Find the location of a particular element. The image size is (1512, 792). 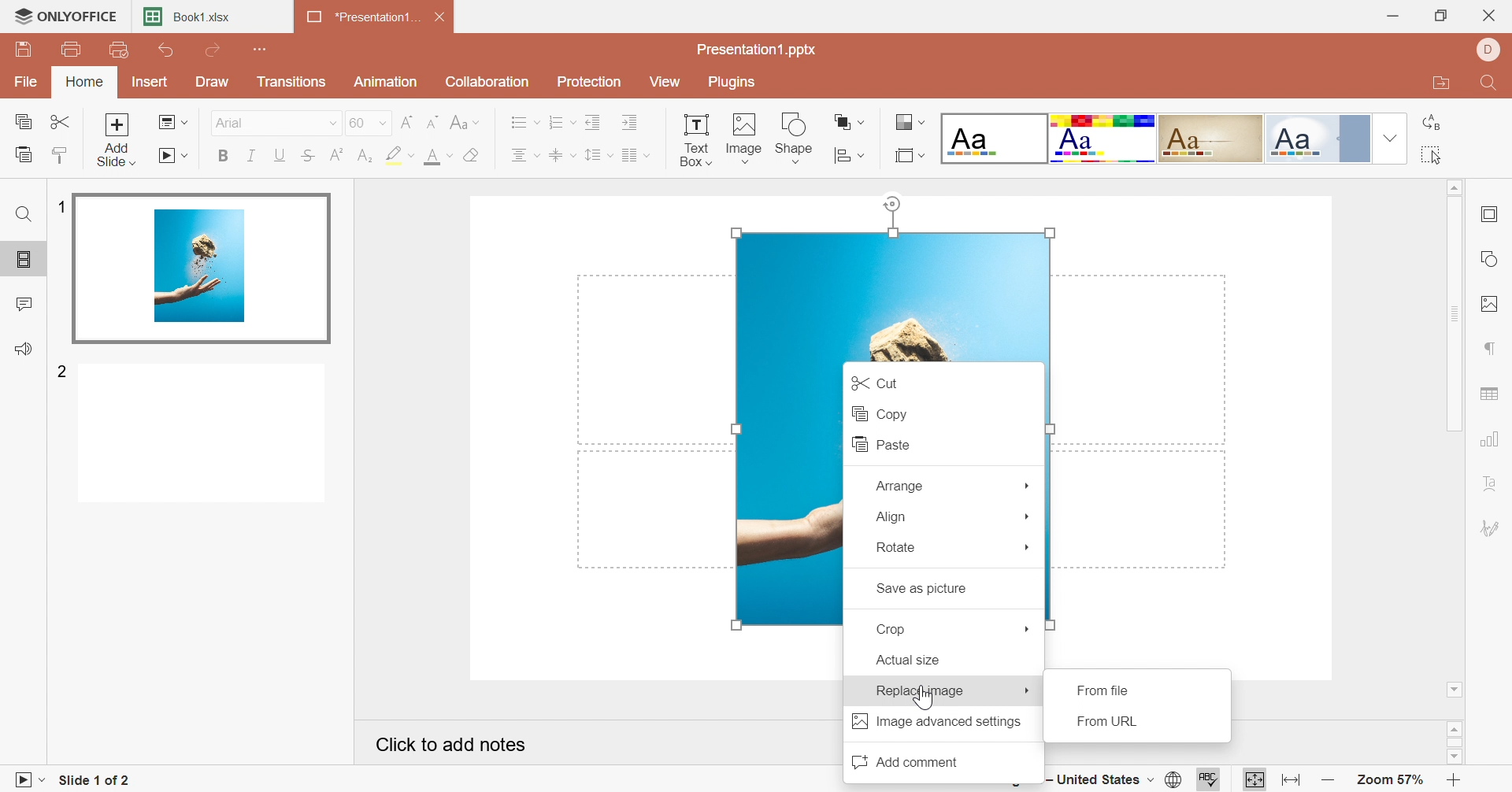

Replace image is located at coordinates (919, 690).